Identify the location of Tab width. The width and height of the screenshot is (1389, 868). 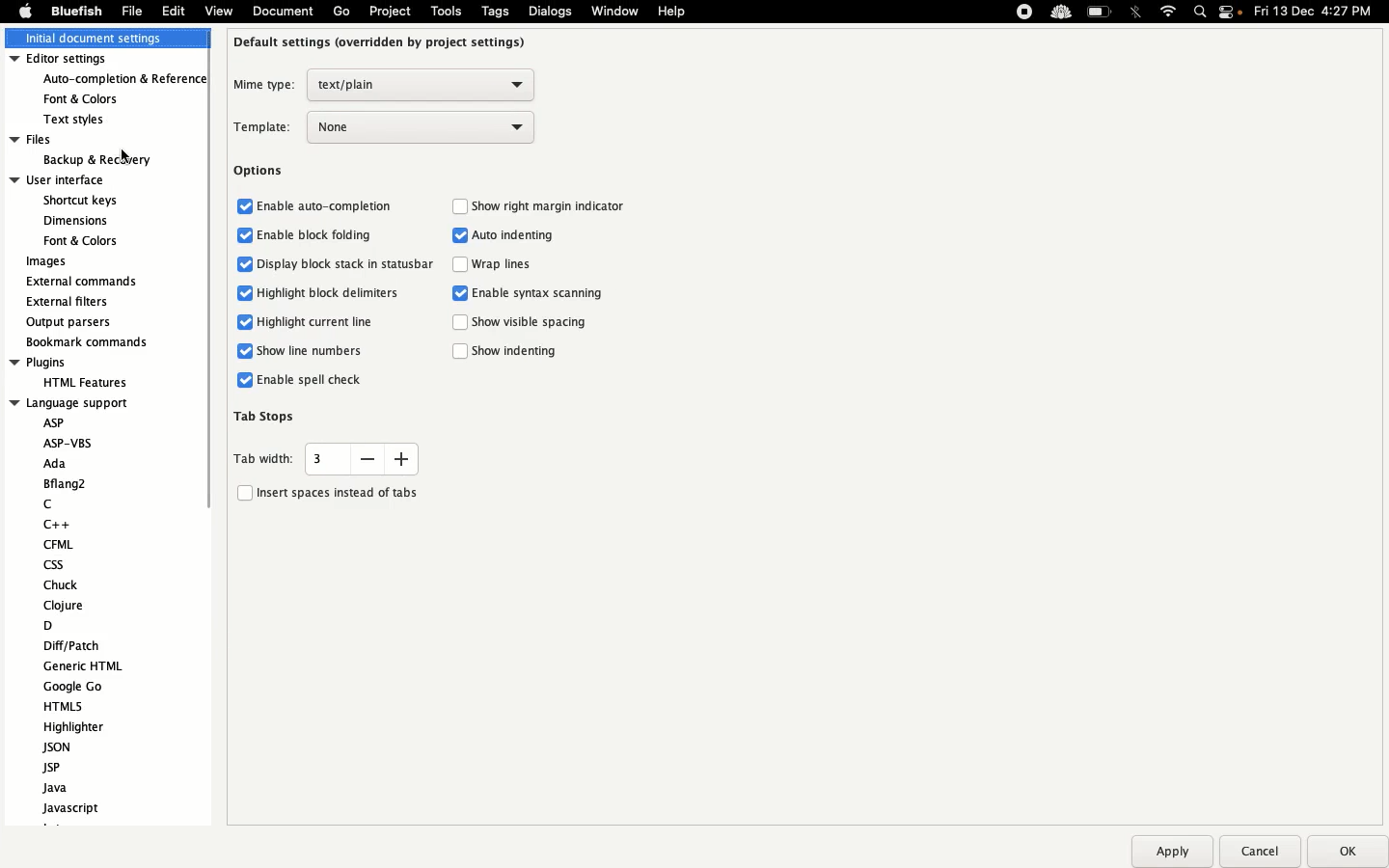
(324, 458).